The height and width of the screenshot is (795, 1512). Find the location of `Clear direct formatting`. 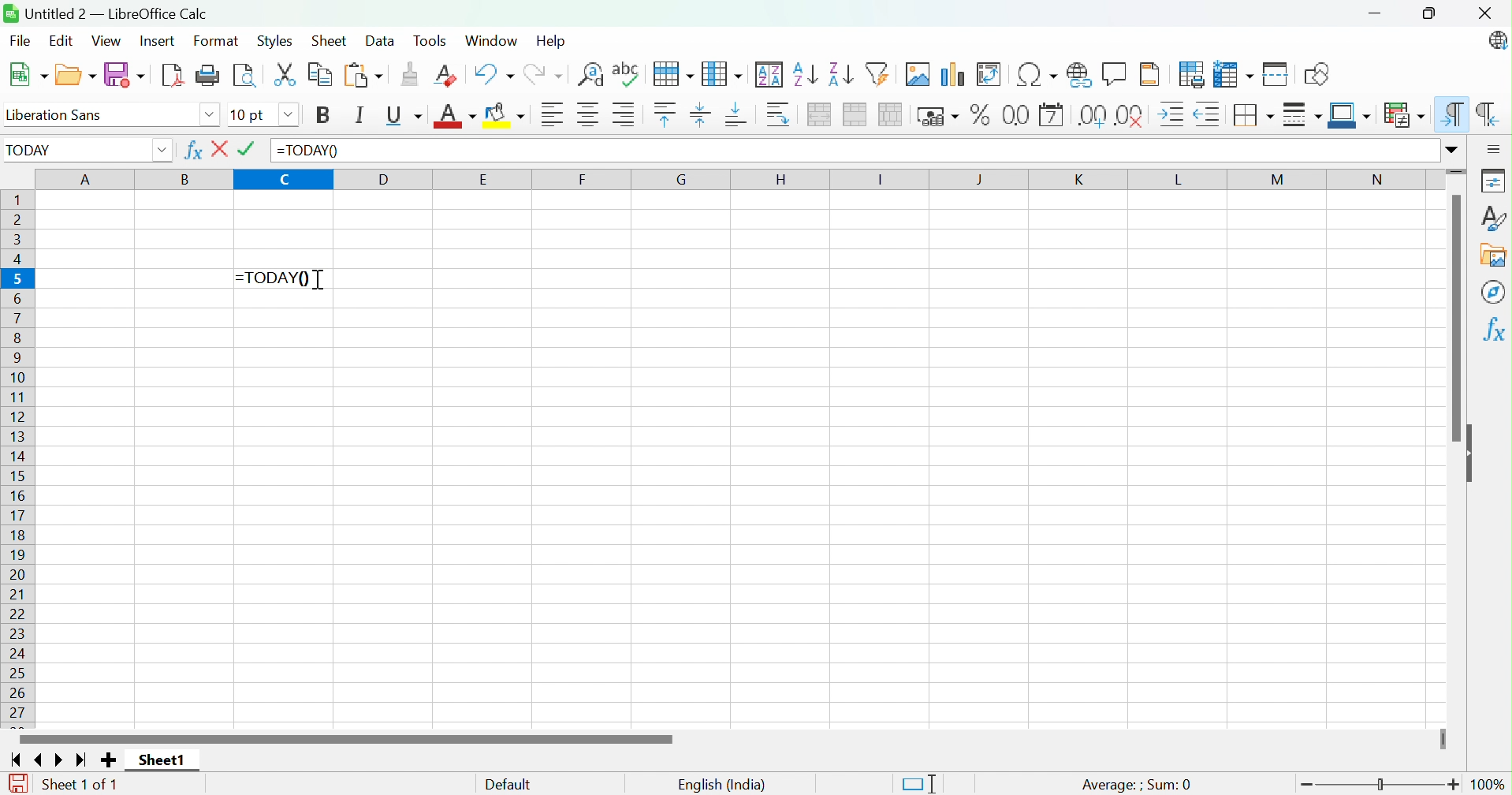

Clear direct formatting is located at coordinates (449, 76).